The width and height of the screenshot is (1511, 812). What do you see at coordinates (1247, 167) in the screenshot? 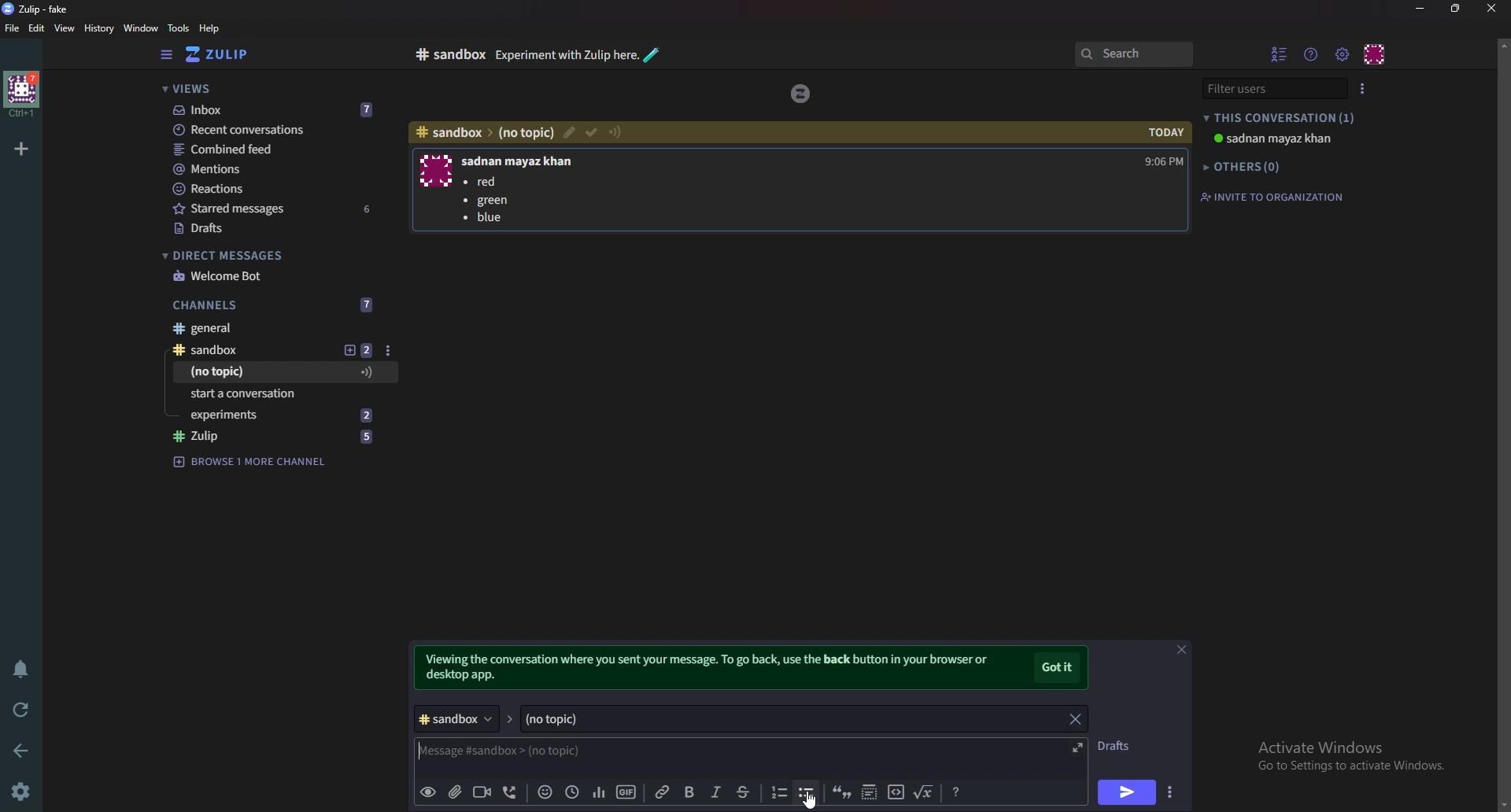
I see `other` at bounding box center [1247, 167].